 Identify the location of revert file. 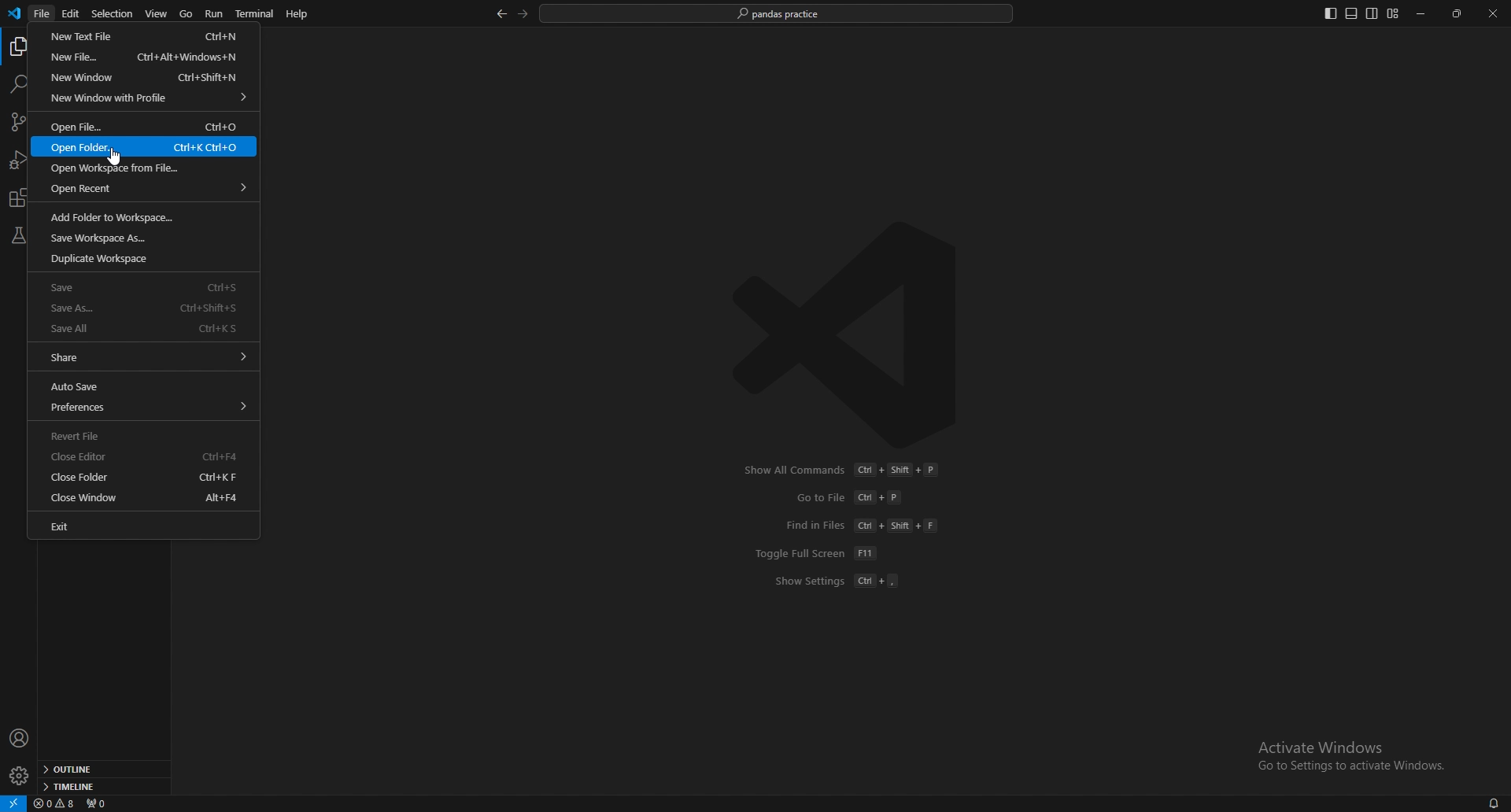
(141, 435).